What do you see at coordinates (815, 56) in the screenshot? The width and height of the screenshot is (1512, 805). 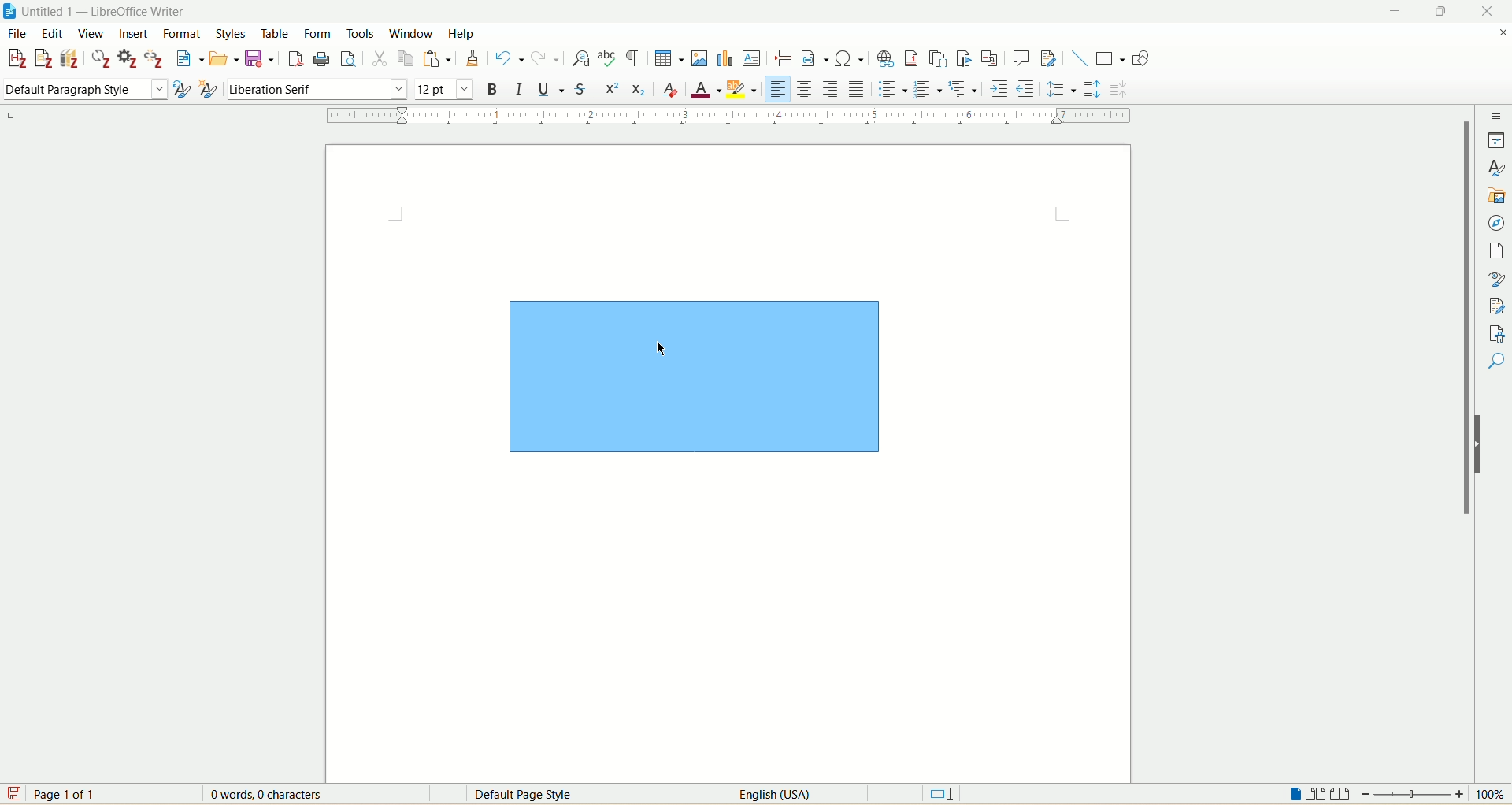 I see `insert field` at bounding box center [815, 56].